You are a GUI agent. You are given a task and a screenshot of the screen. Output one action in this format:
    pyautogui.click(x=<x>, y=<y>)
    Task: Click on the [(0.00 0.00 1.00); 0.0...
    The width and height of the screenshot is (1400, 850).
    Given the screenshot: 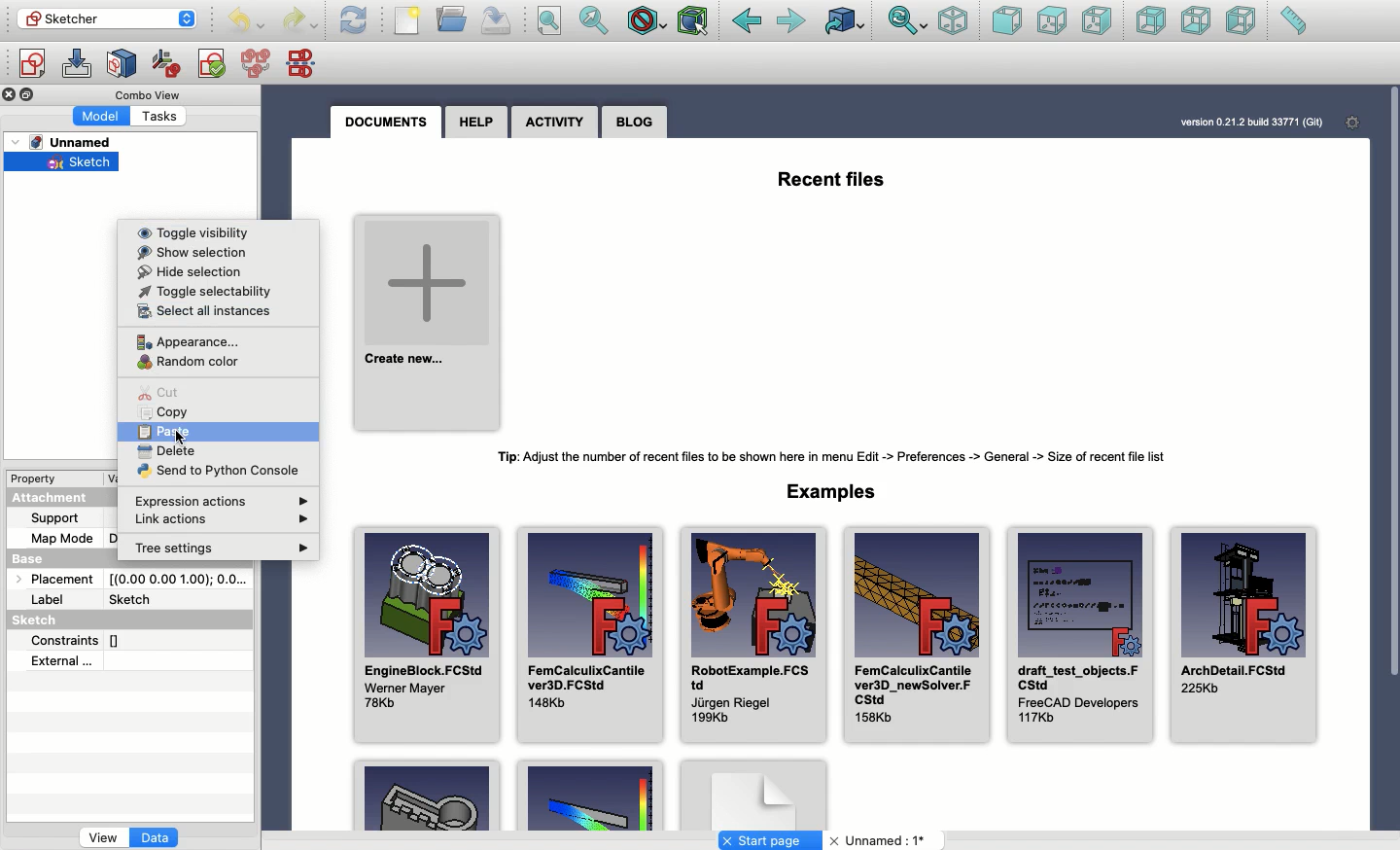 What is the action you would take?
    pyautogui.click(x=178, y=579)
    